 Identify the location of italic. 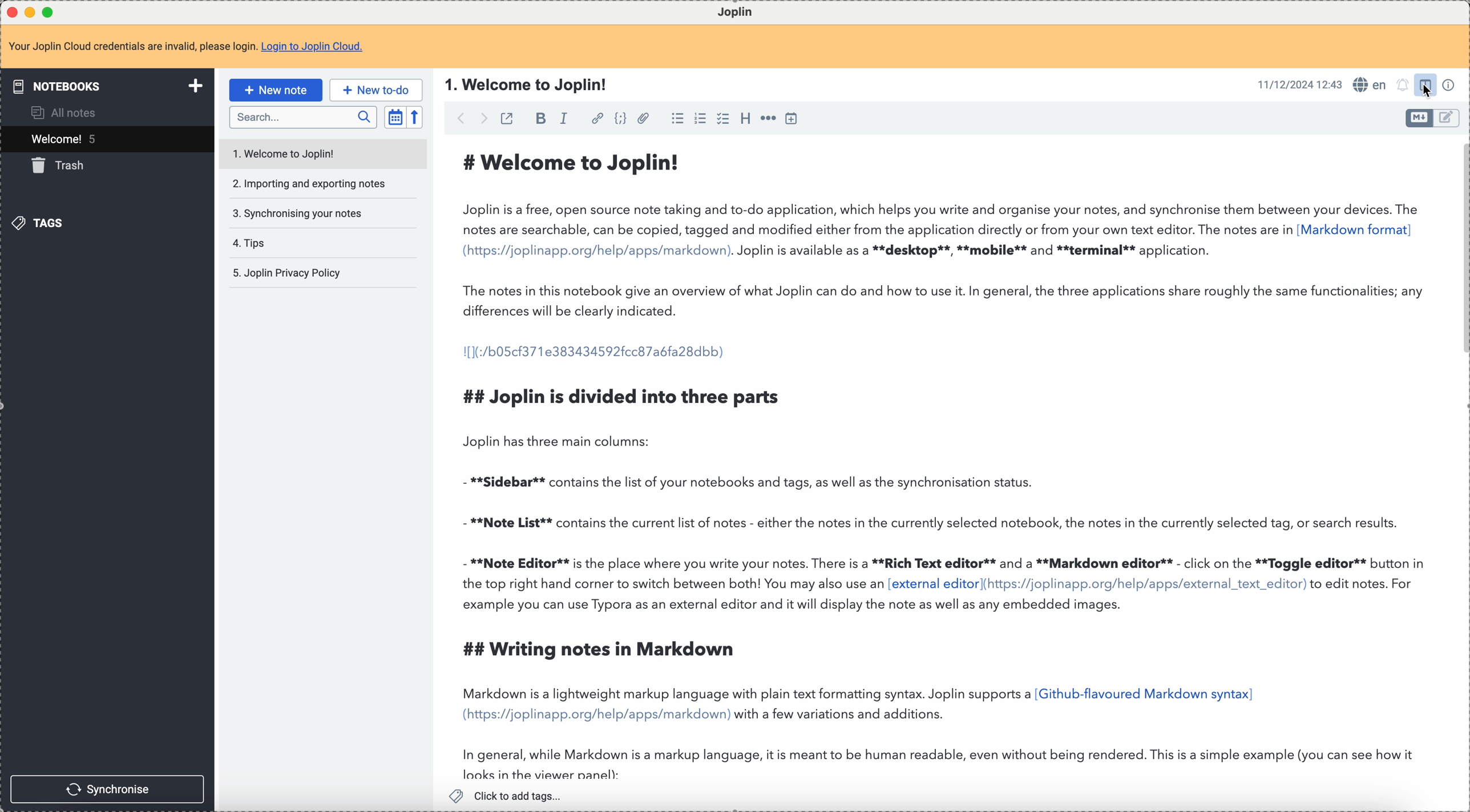
(564, 119).